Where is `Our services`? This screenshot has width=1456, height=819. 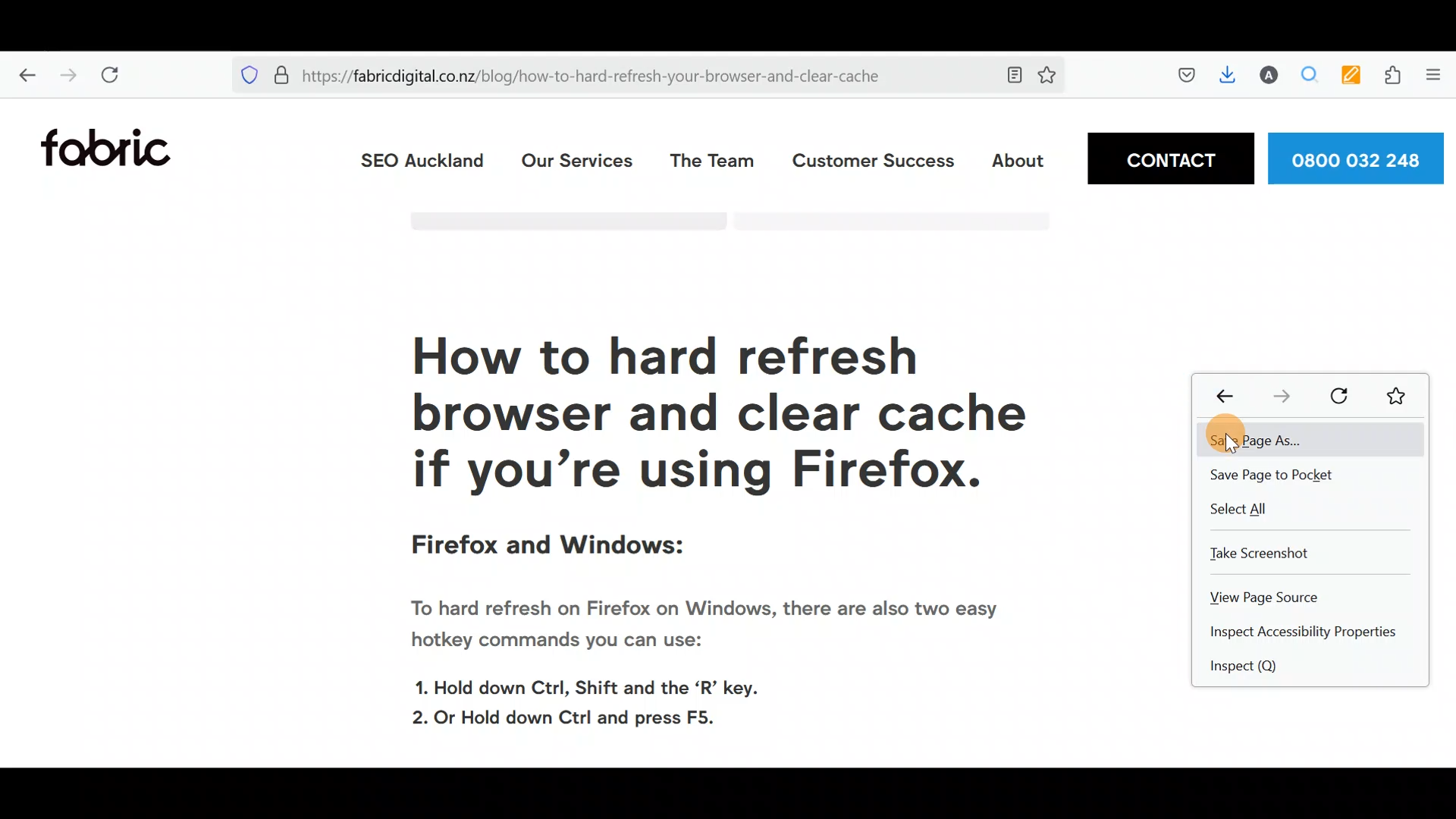
Our services is located at coordinates (574, 161).